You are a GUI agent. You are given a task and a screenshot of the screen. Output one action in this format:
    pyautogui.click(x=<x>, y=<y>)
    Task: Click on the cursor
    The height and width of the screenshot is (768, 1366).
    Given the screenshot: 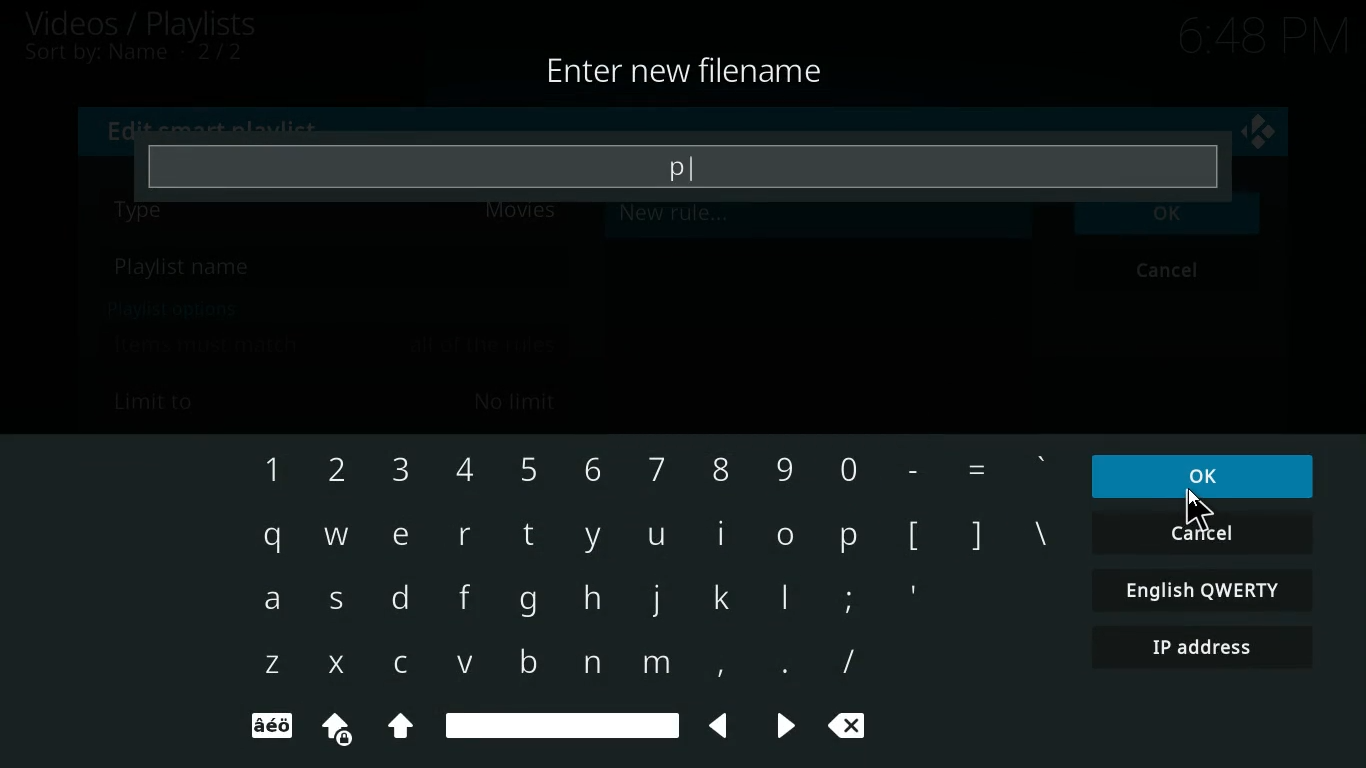 What is the action you would take?
    pyautogui.click(x=1198, y=510)
    